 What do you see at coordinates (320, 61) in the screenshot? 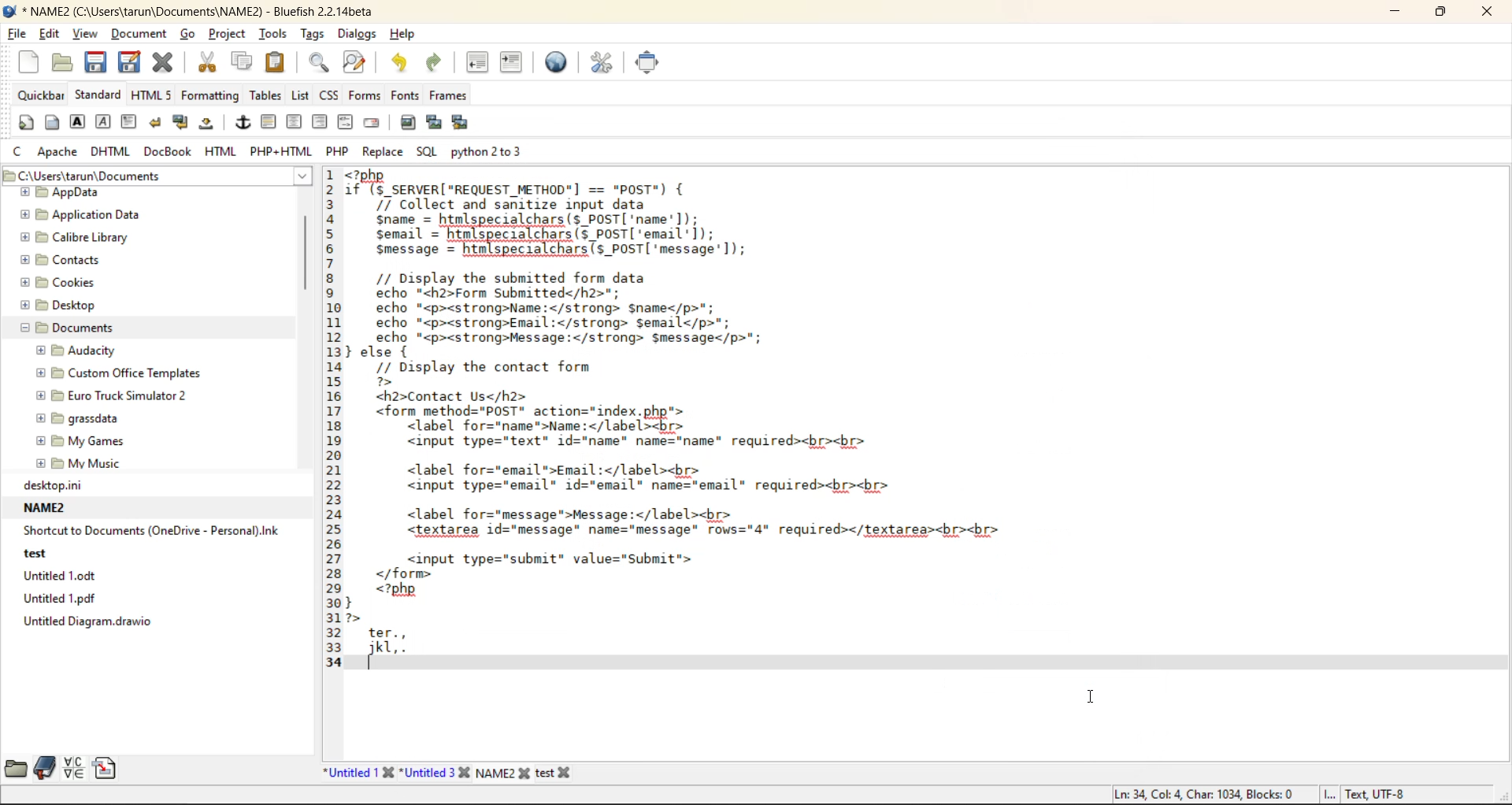
I see `find` at bounding box center [320, 61].